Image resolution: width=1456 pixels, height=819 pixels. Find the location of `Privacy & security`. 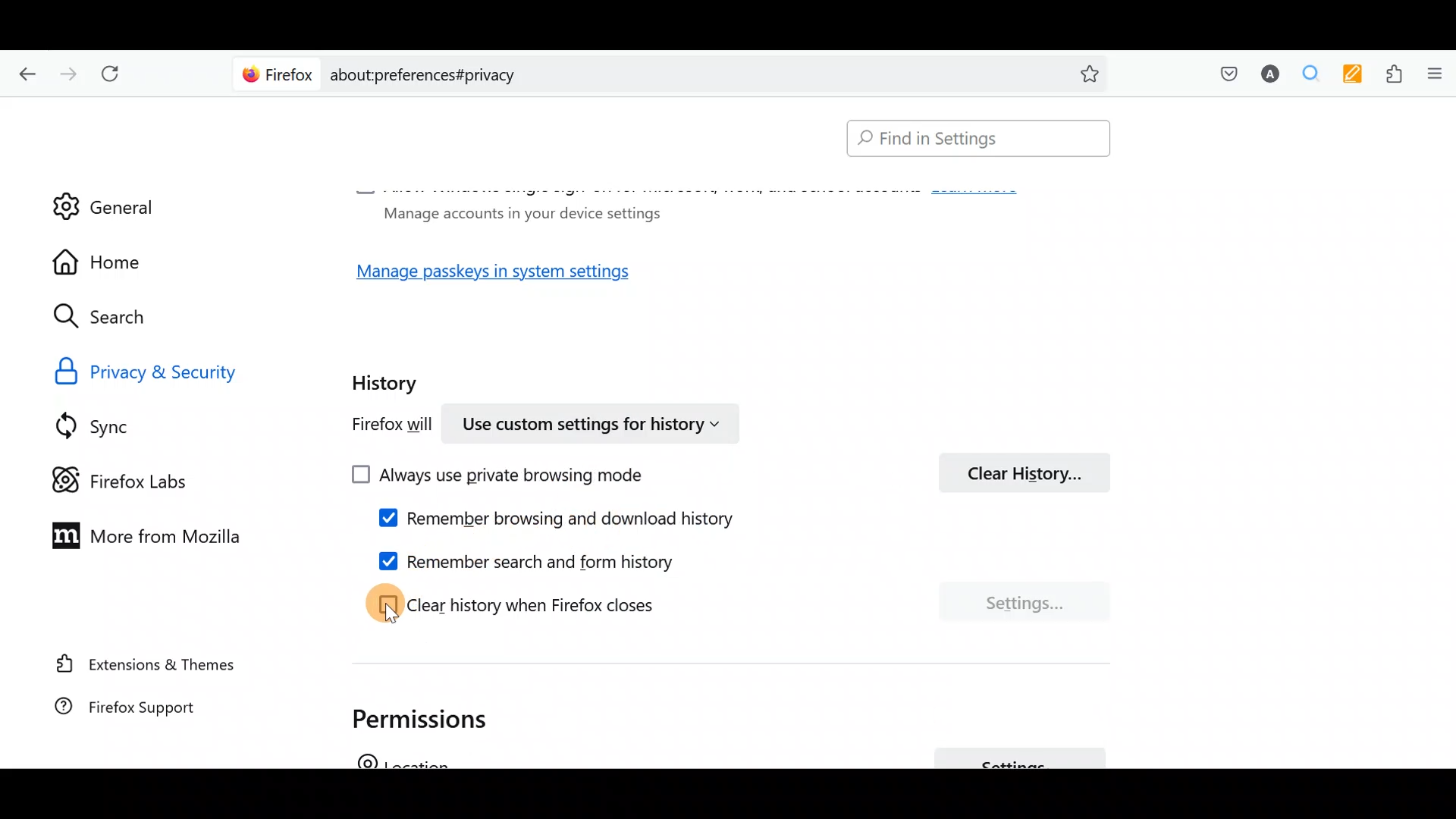

Privacy & security is located at coordinates (184, 370).